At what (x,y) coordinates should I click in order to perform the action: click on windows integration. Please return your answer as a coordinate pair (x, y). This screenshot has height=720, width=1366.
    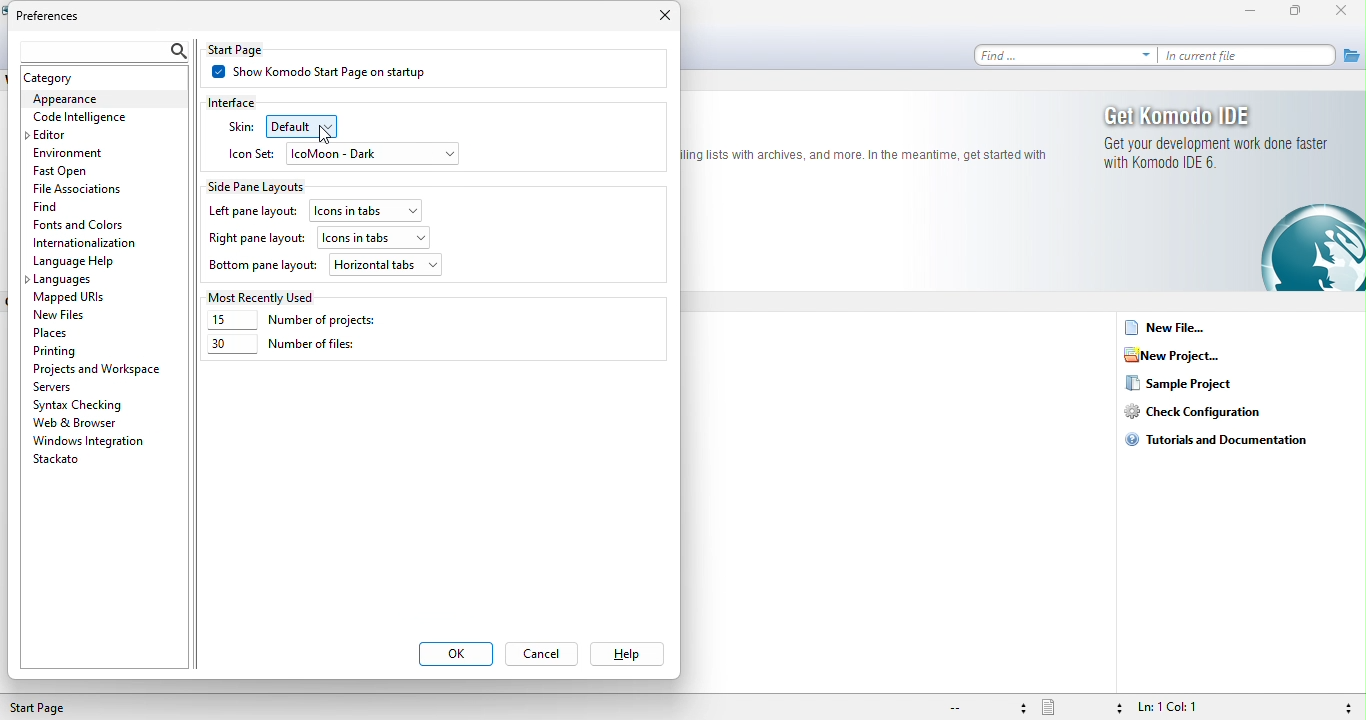
    Looking at the image, I should click on (89, 441).